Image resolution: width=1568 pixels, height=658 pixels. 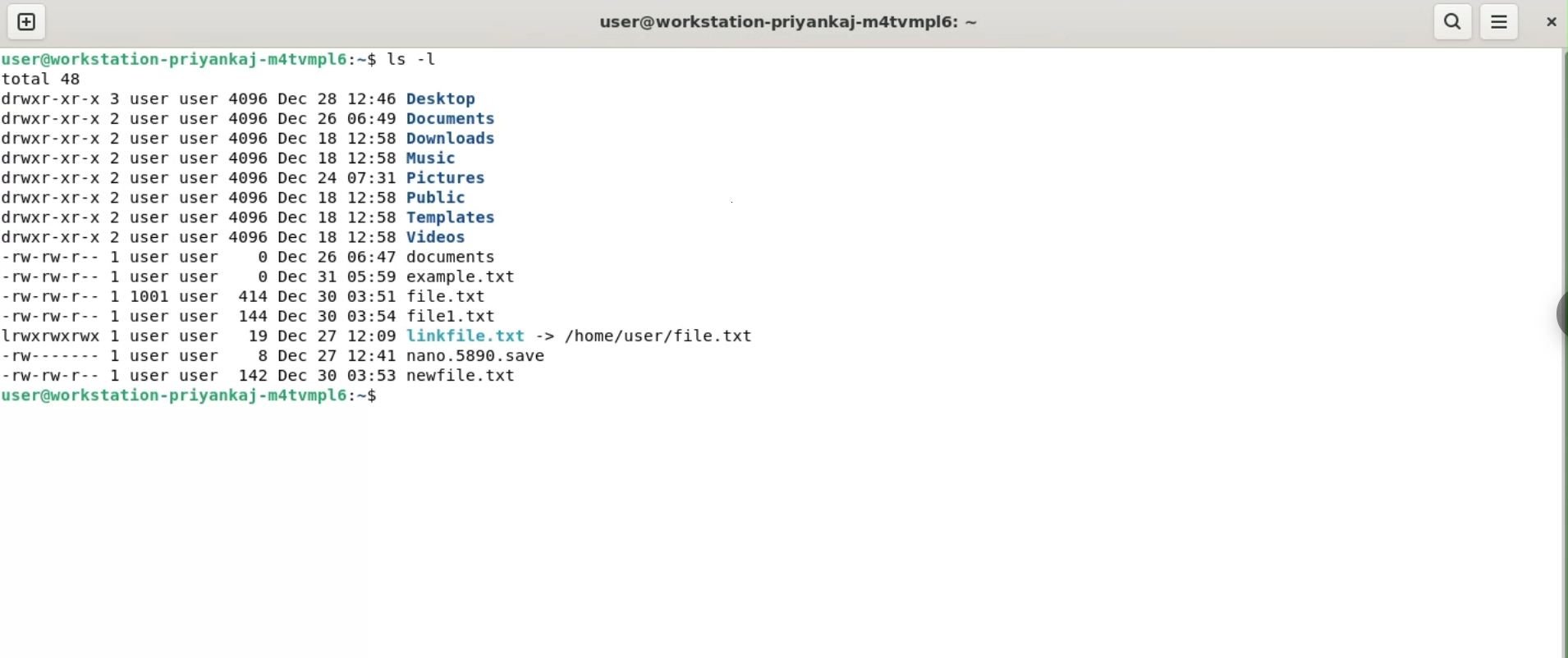 I want to click on search, so click(x=1452, y=21).